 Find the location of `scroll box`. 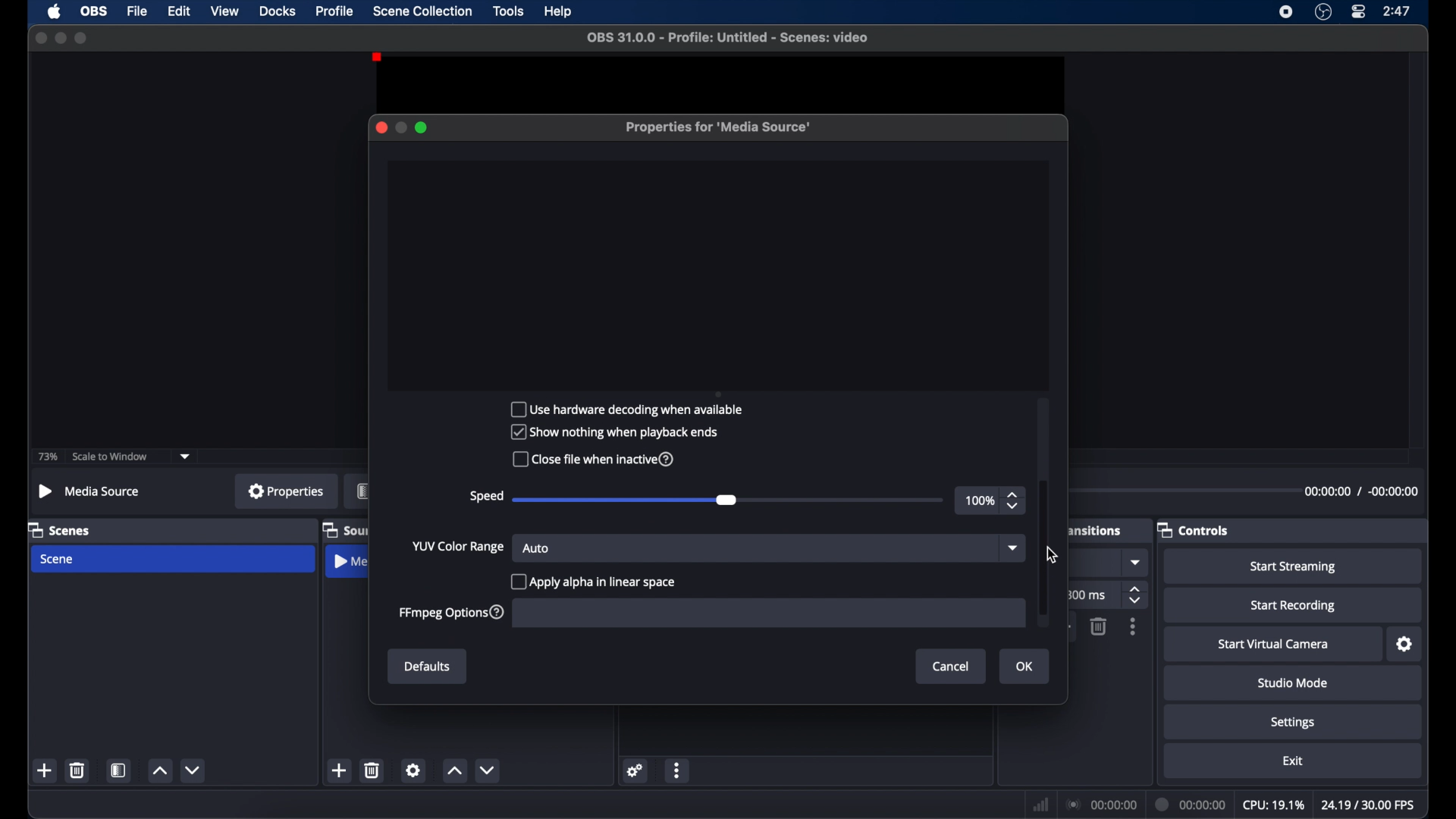

scroll box is located at coordinates (1043, 547).